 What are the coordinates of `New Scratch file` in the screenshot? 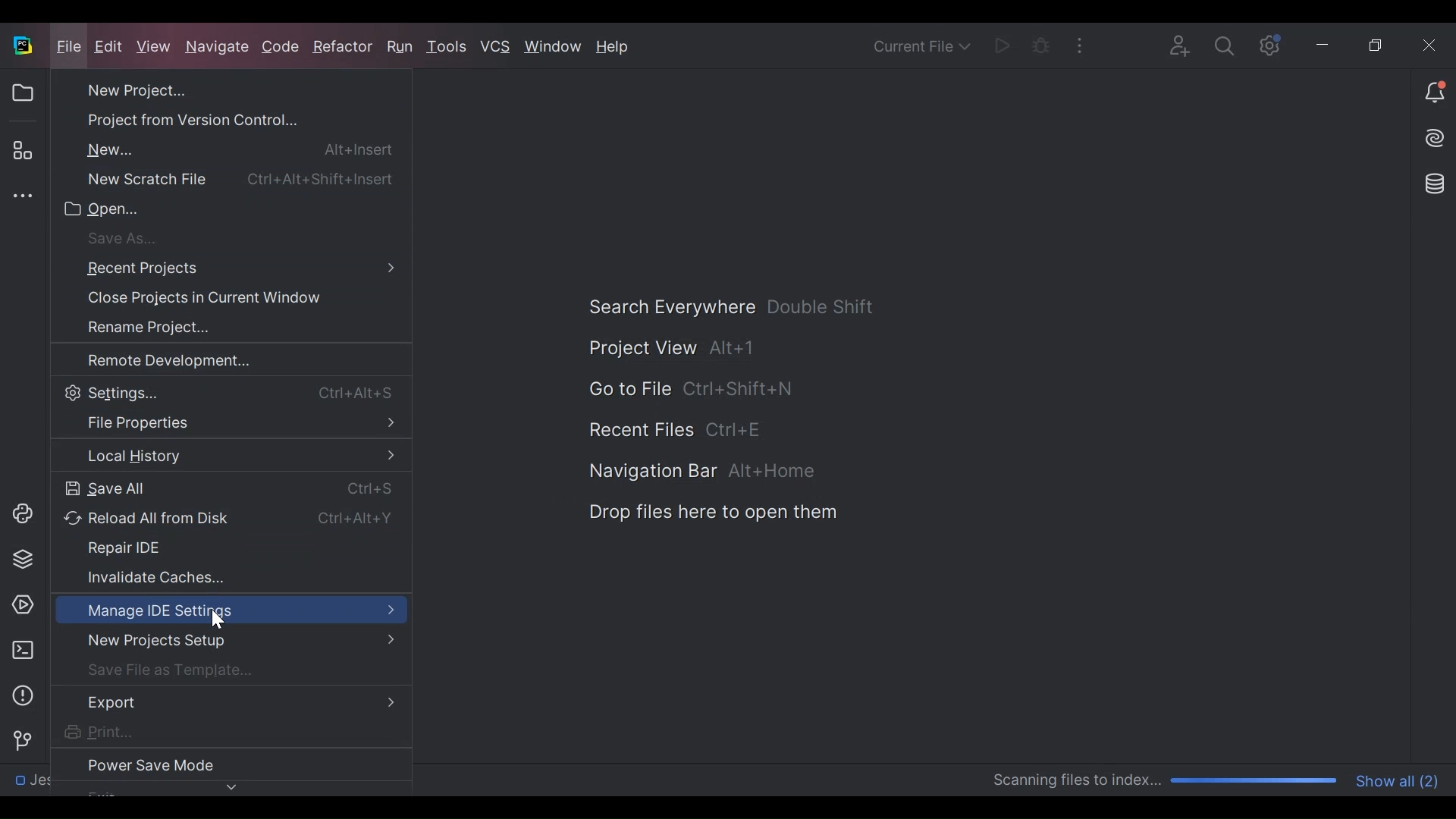 It's located at (224, 180).